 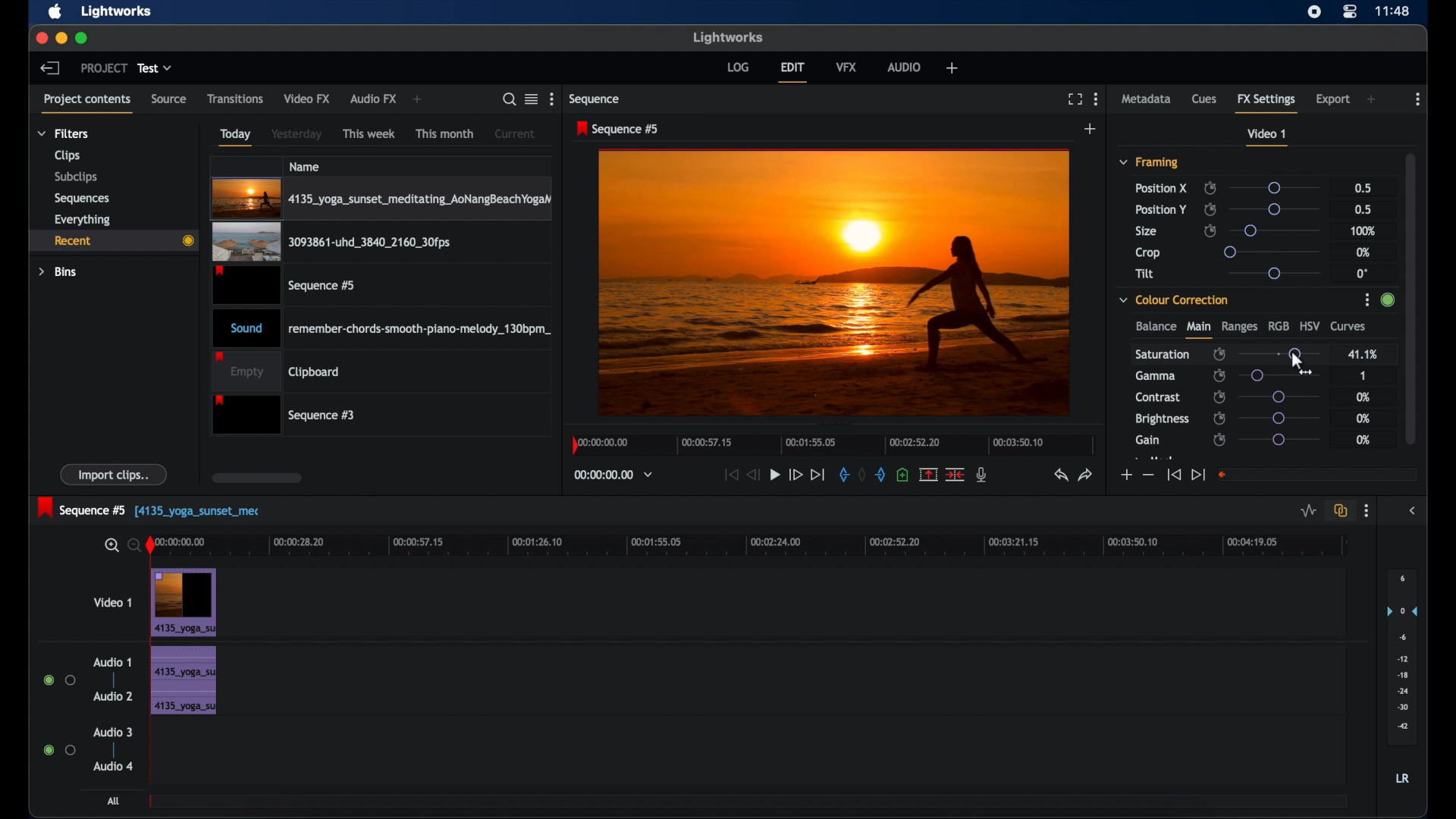 What do you see at coordinates (1363, 231) in the screenshot?
I see `100%` at bounding box center [1363, 231].